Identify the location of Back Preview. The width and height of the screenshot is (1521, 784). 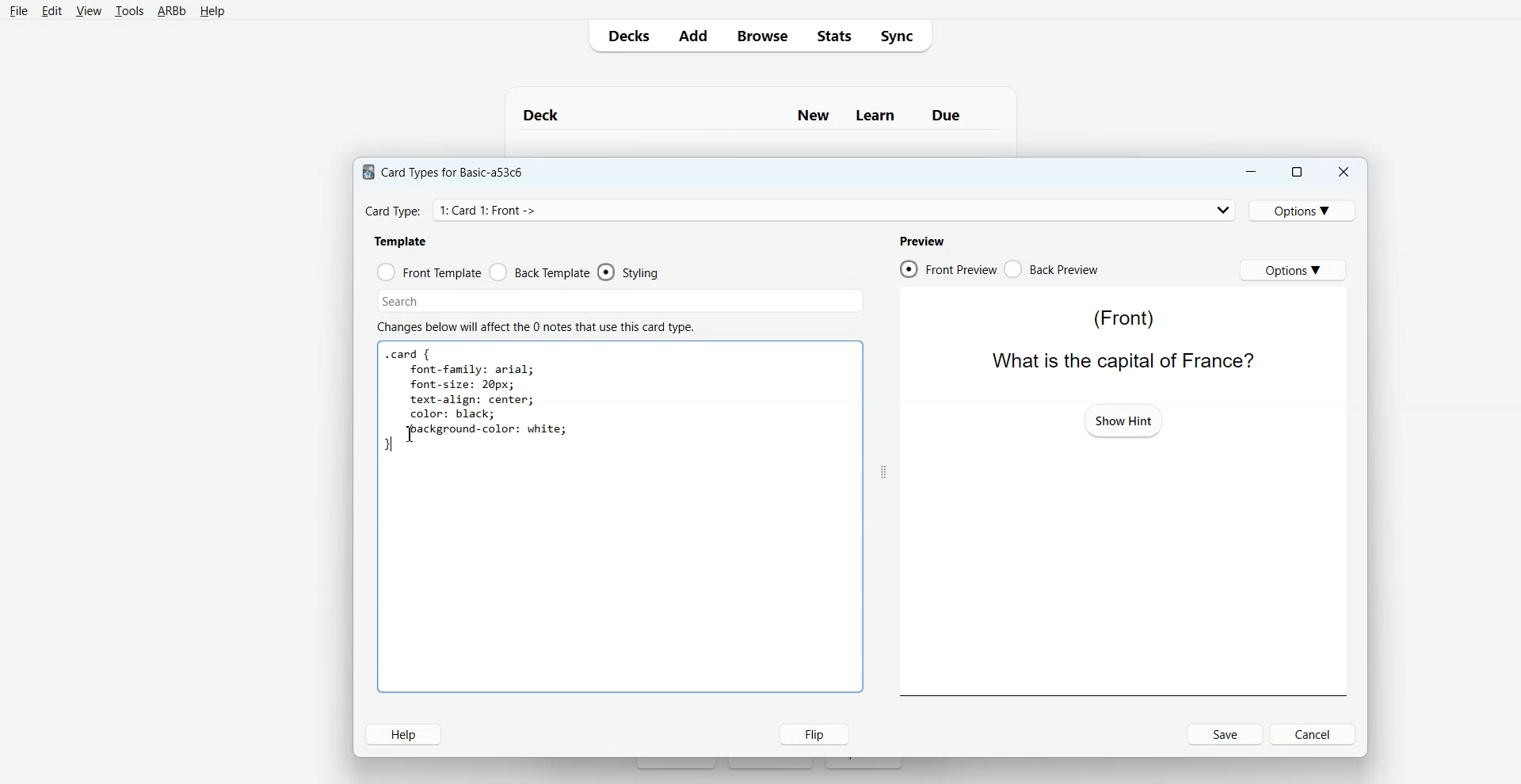
(1052, 269).